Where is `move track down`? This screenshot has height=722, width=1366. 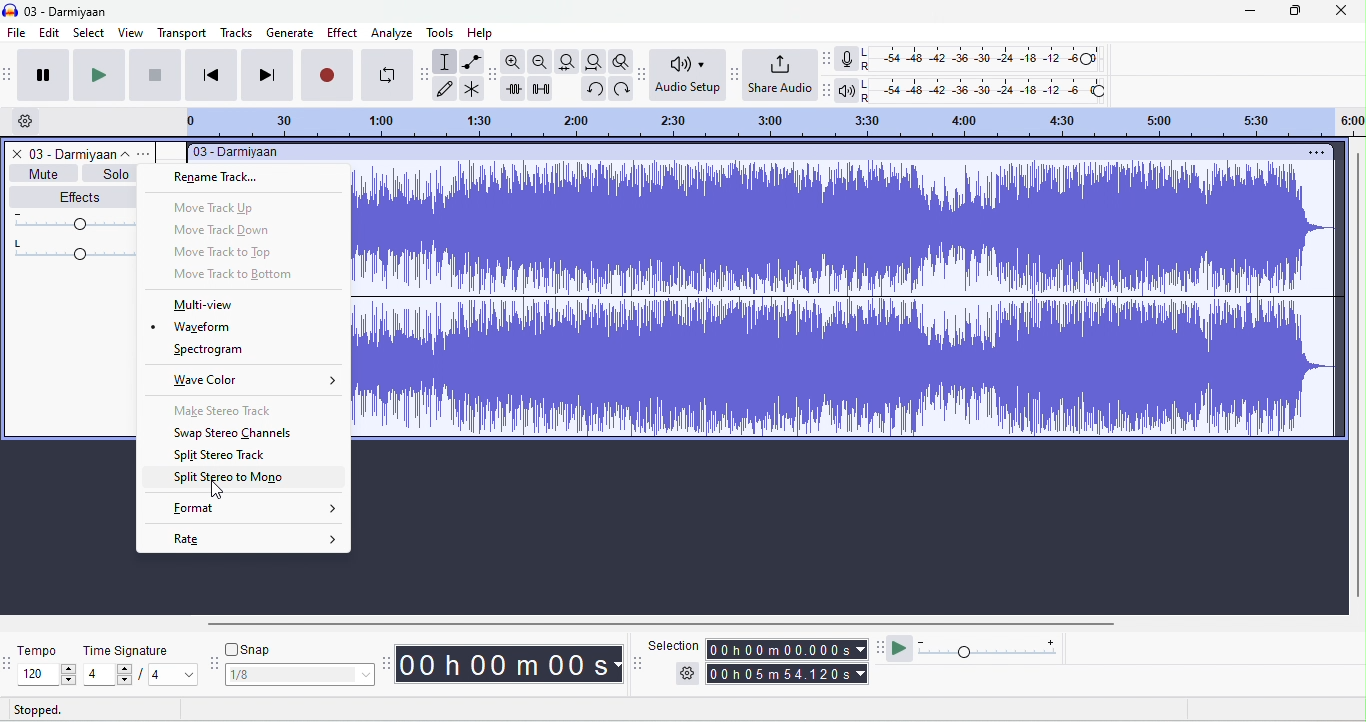 move track down is located at coordinates (222, 230).